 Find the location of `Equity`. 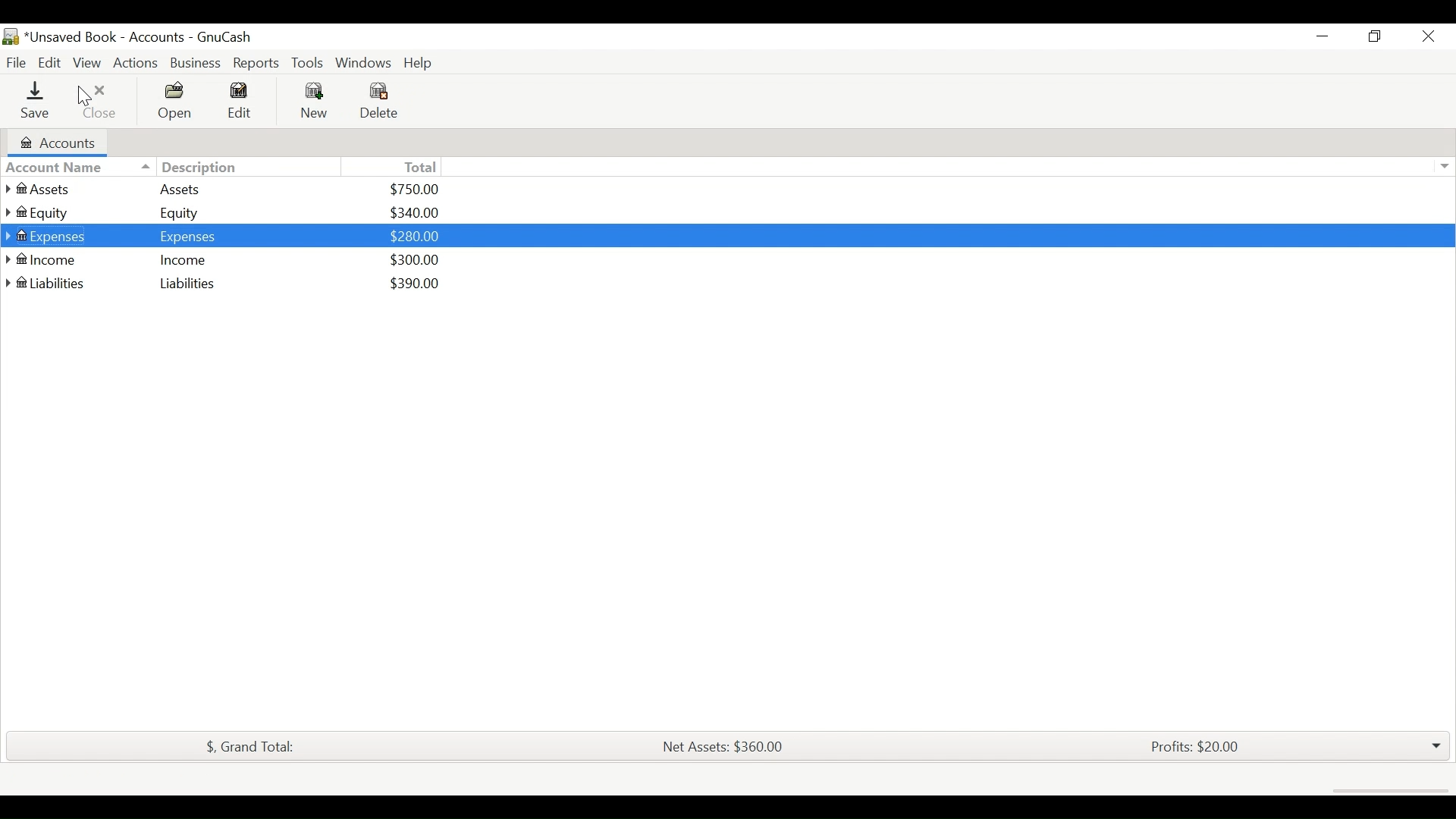

Equity is located at coordinates (56, 212).